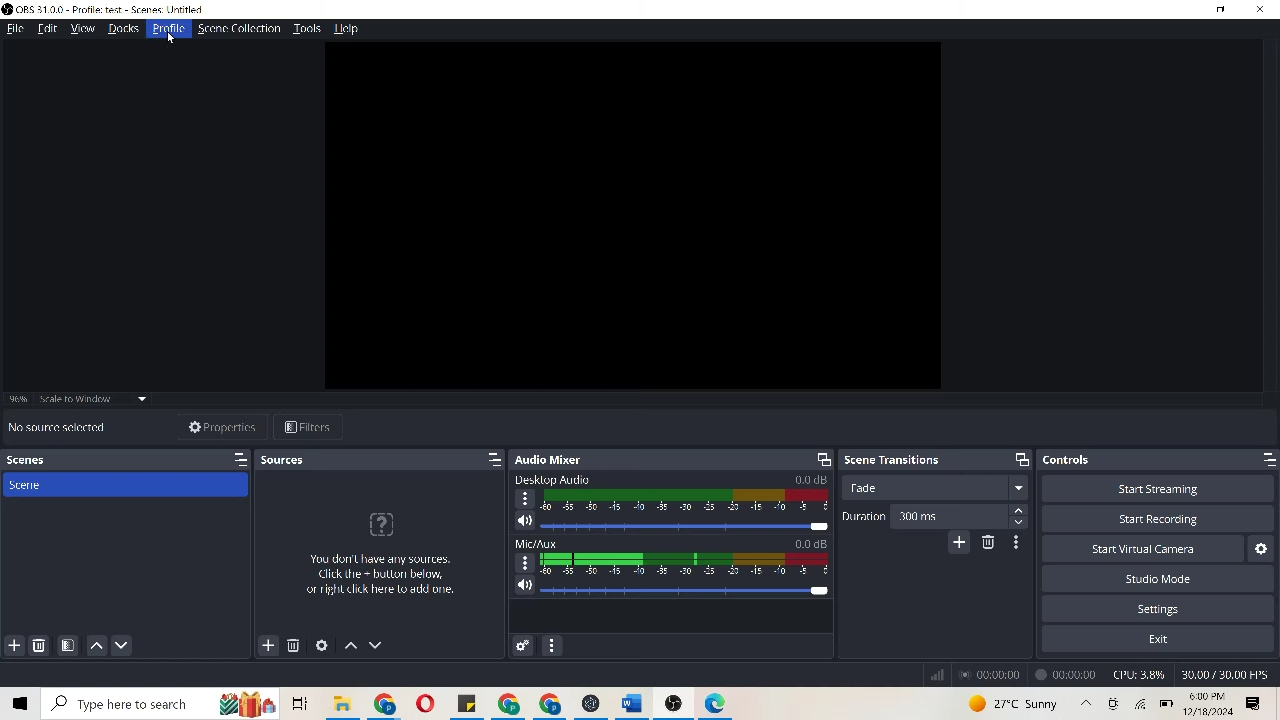 This screenshot has width=1280, height=720. I want to click on CPU 3.8%, so click(1142, 675).